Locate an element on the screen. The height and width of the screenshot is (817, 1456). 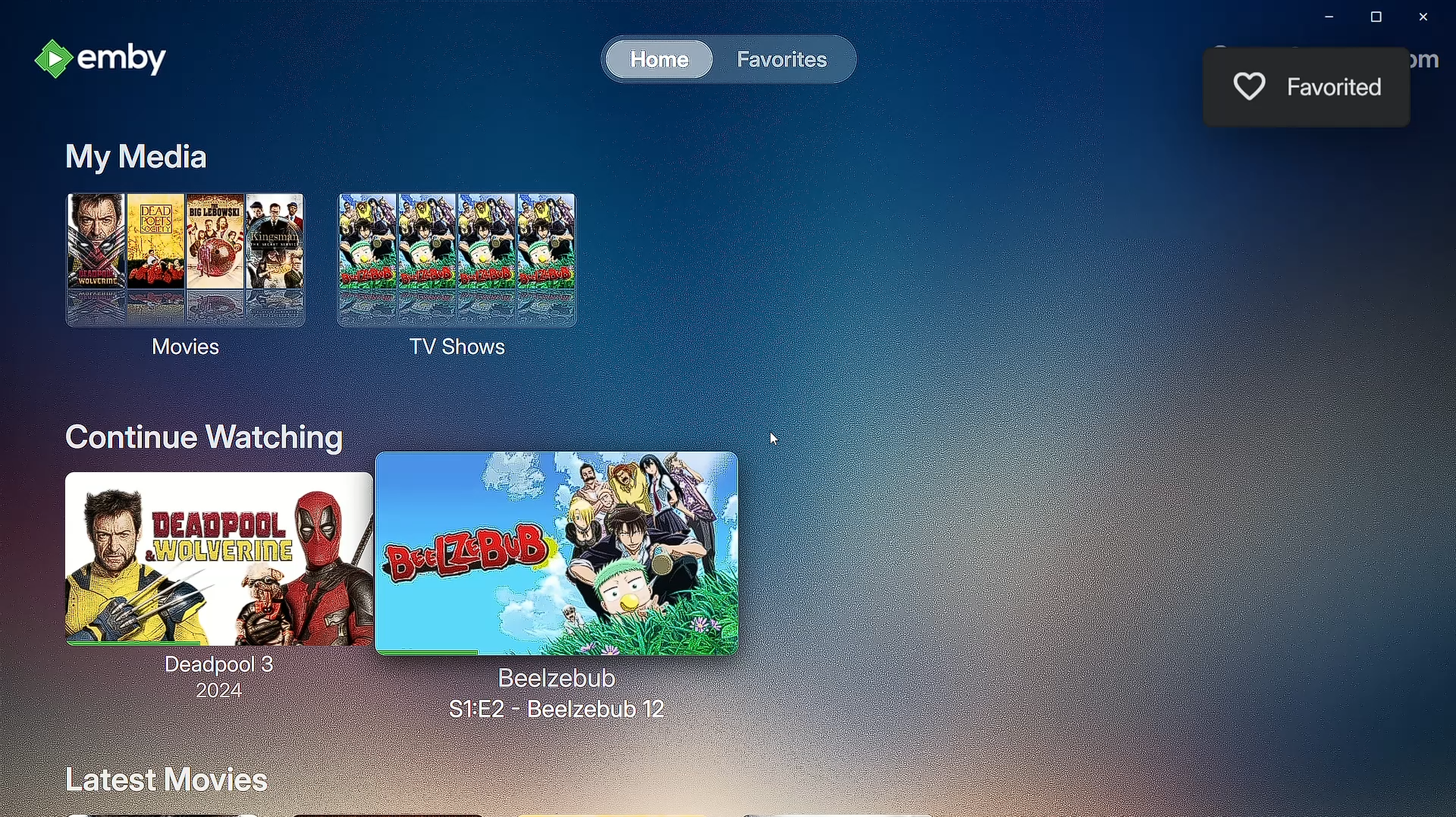
My Media is located at coordinates (136, 159).